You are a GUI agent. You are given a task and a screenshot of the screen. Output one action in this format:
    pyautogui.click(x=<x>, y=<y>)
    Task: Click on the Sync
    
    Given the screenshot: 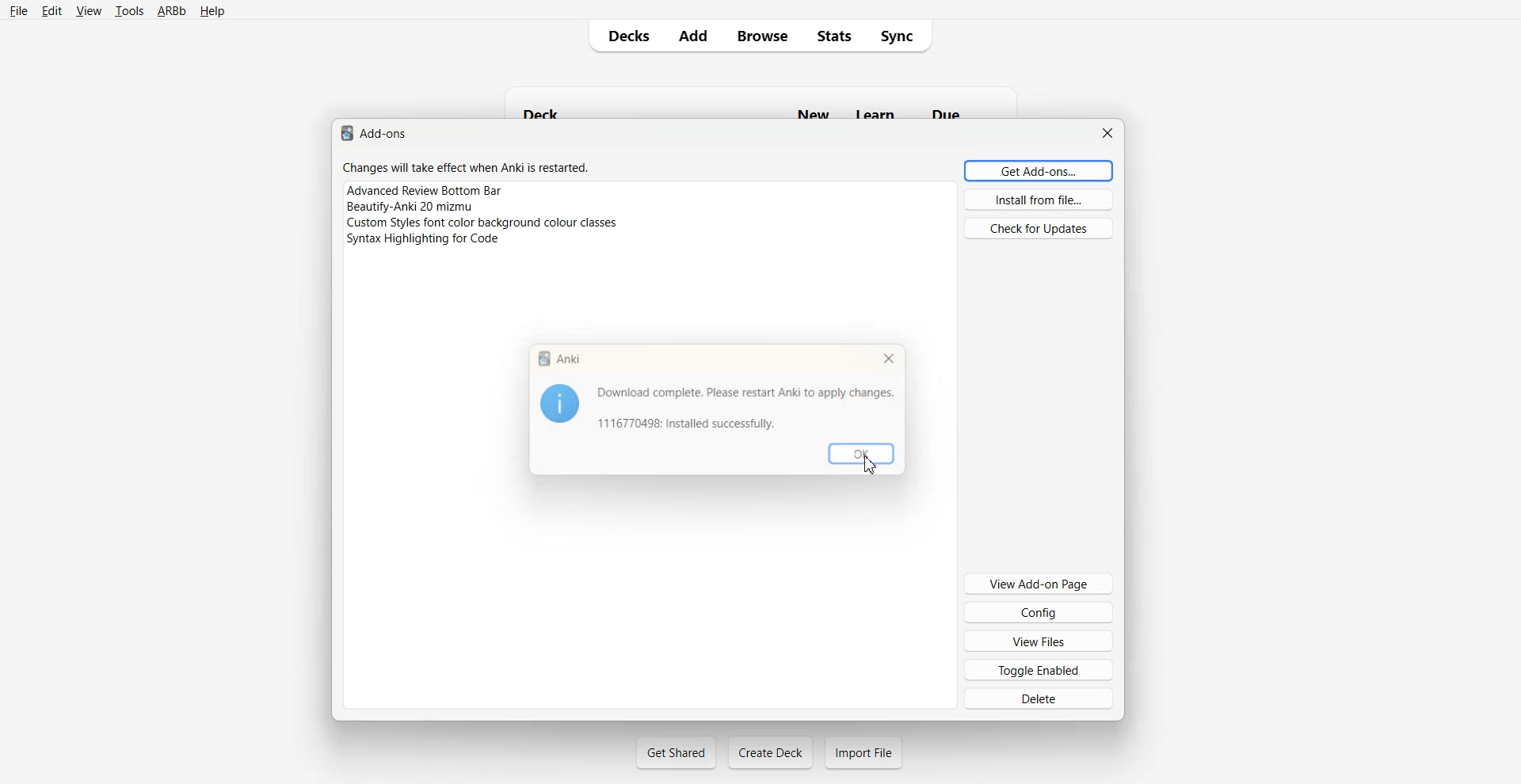 What is the action you would take?
    pyautogui.click(x=904, y=36)
    